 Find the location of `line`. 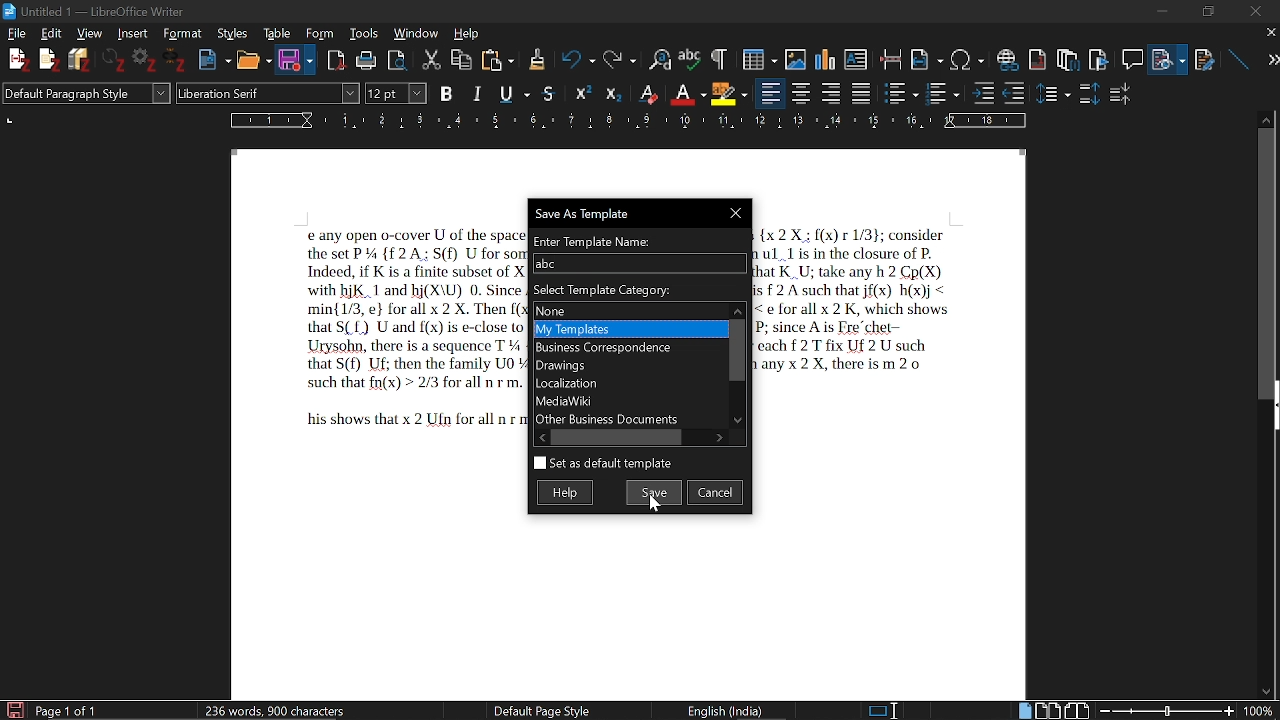

line is located at coordinates (1236, 56).